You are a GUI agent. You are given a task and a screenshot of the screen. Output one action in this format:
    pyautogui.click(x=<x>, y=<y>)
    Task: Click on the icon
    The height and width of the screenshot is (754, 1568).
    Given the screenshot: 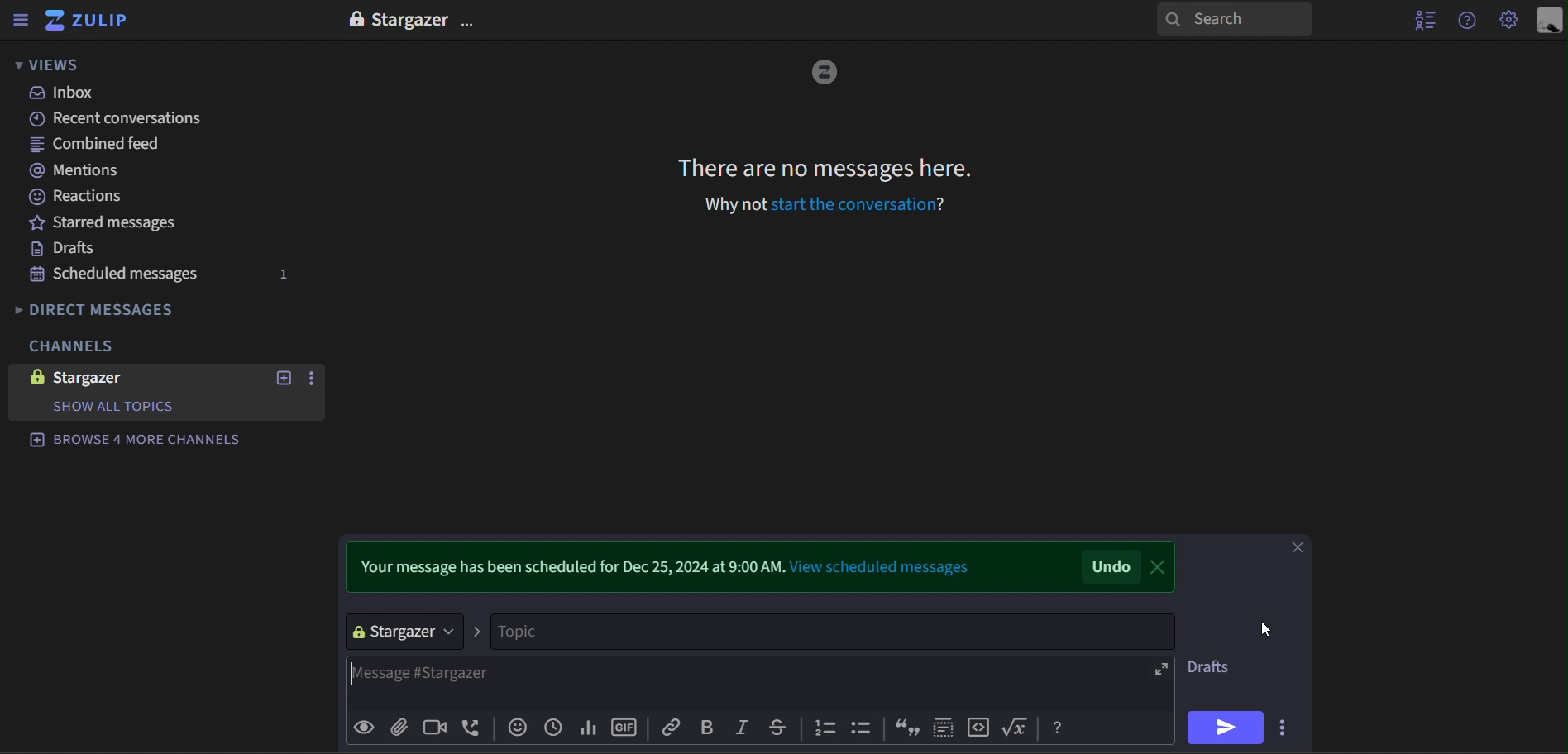 What is the action you would take?
    pyautogui.click(x=1060, y=728)
    